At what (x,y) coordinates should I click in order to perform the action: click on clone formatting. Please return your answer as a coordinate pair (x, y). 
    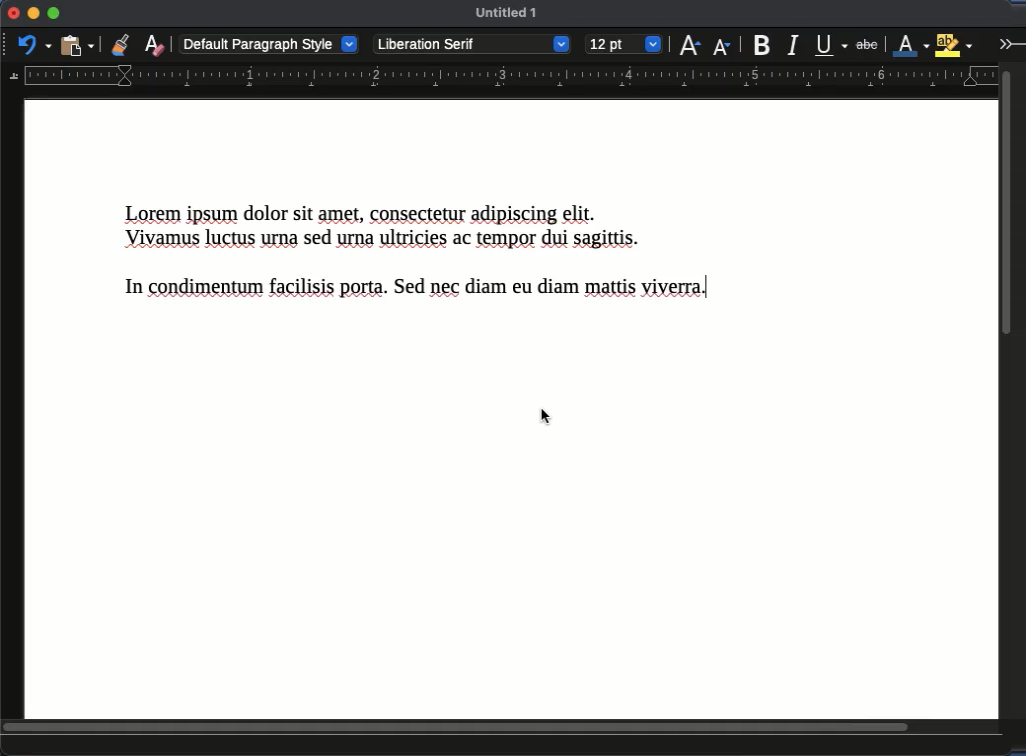
    Looking at the image, I should click on (120, 44).